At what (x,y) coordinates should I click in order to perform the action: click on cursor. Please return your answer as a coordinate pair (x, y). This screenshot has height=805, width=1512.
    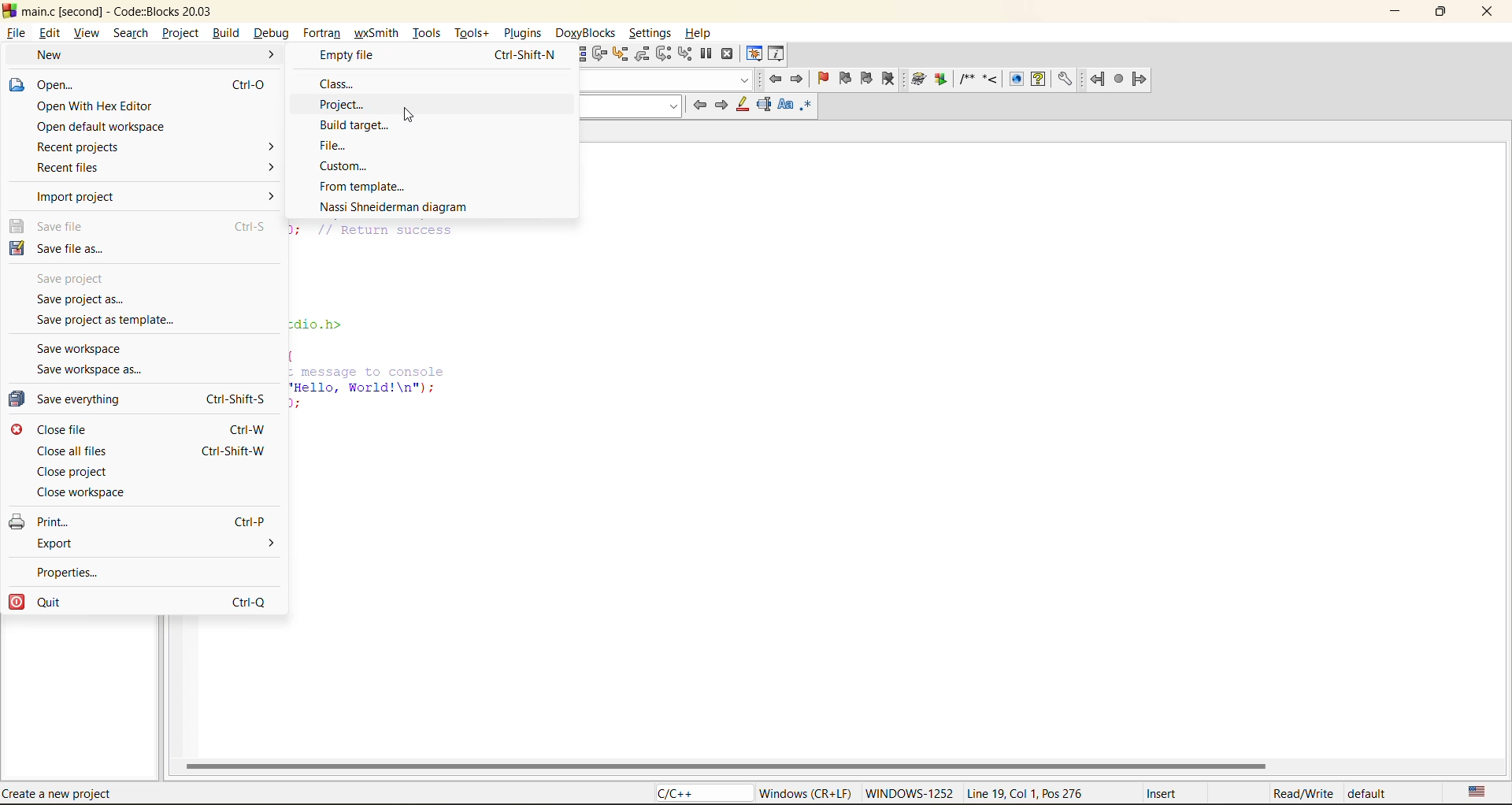
    Looking at the image, I should click on (17, 59).